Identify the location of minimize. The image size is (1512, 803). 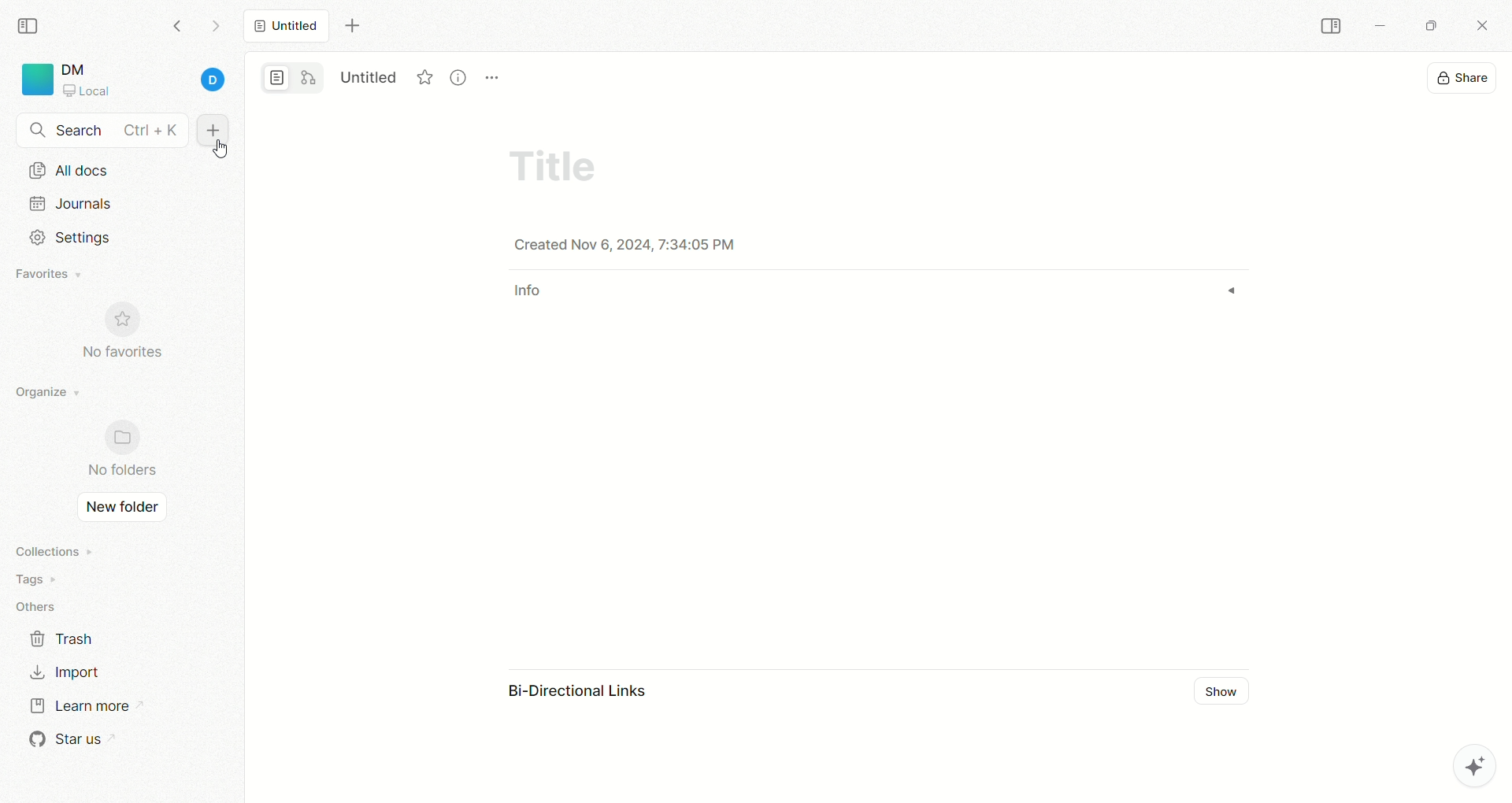
(1378, 28).